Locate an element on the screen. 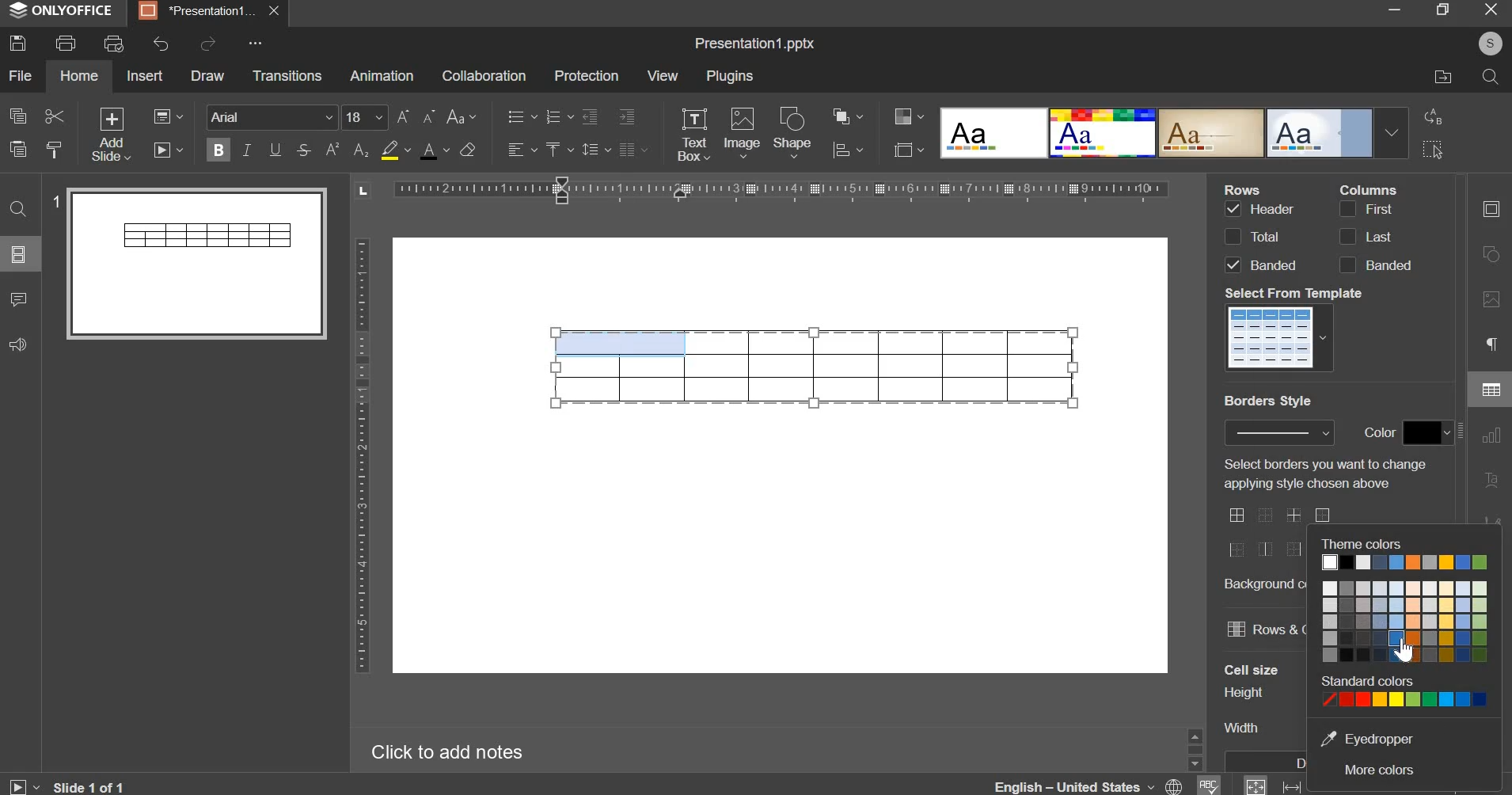 This screenshot has width=1512, height=795. print is located at coordinates (66, 43).